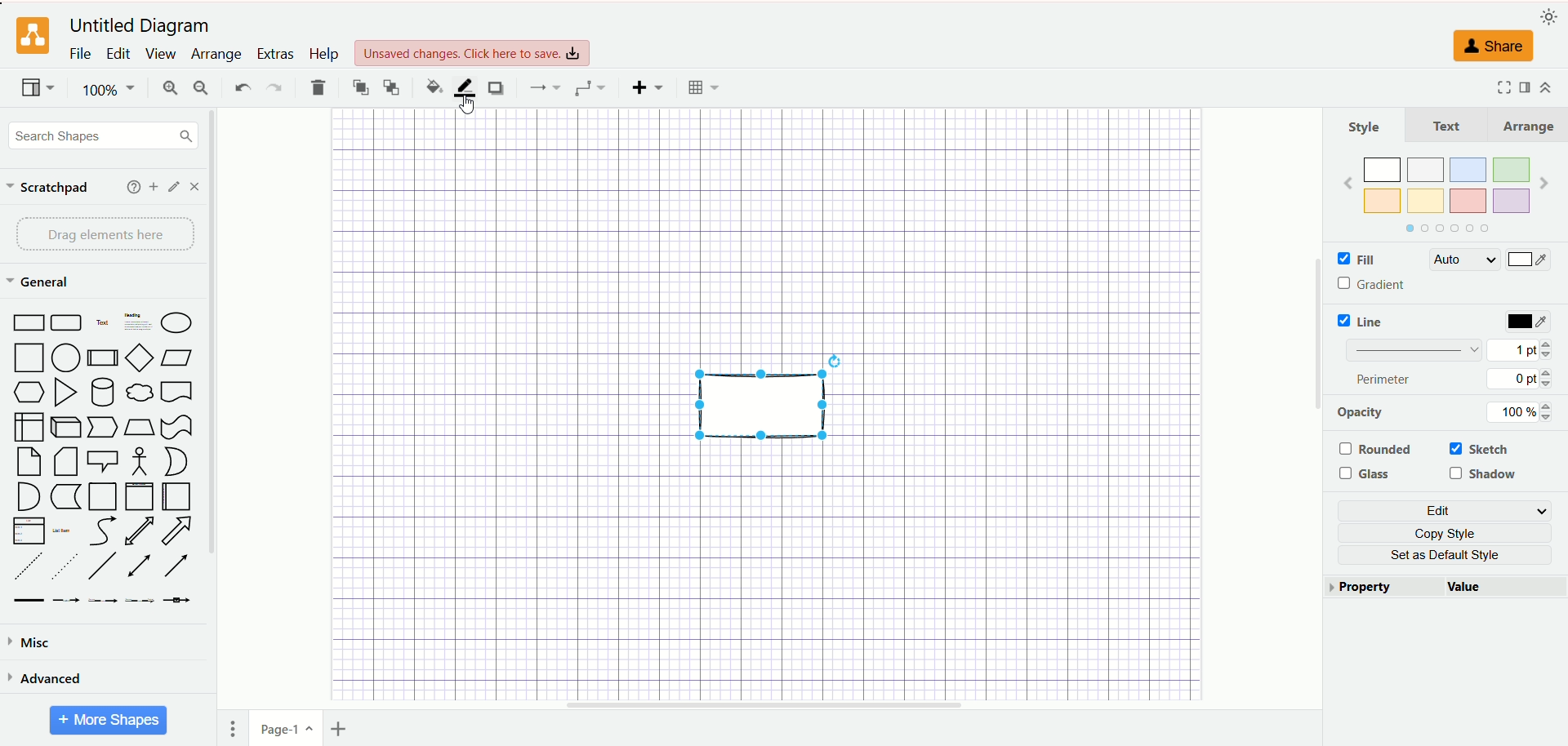 This screenshot has height=746, width=1568. I want to click on extras, so click(274, 52).